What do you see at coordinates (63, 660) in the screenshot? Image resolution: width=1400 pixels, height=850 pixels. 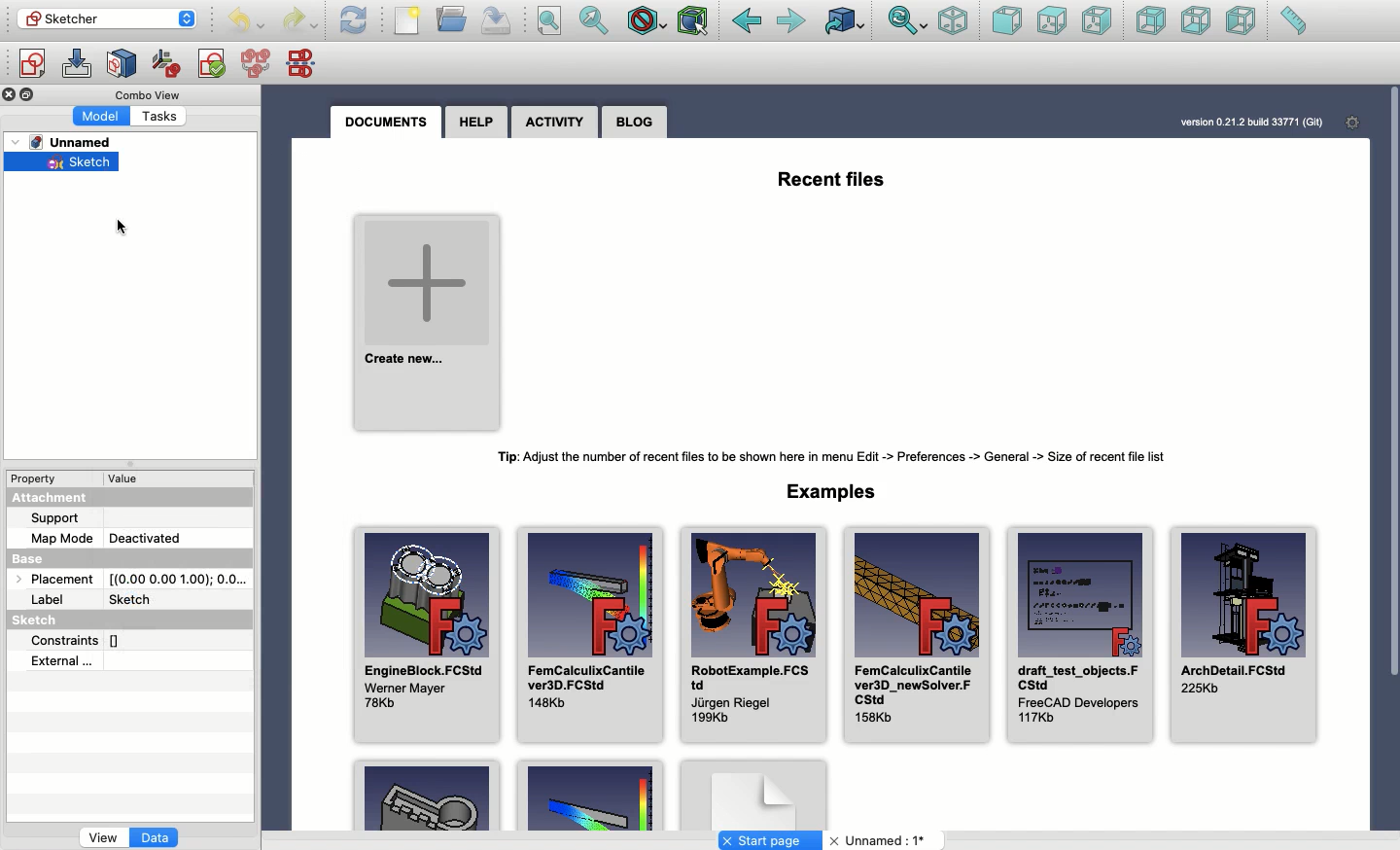 I see `External ` at bounding box center [63, 660].